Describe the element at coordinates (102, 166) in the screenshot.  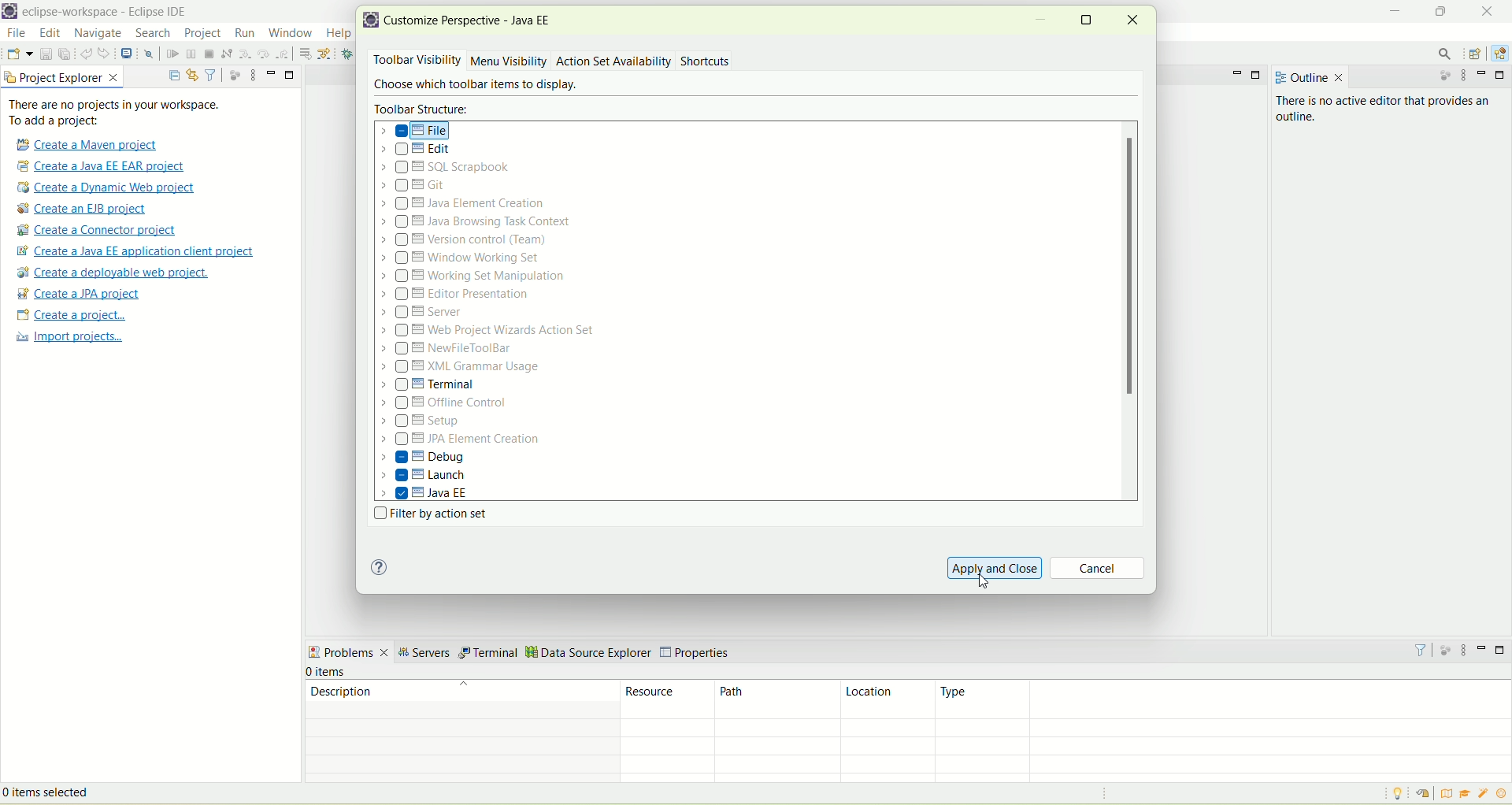
I see `create a Java EE EAR project` at that location.